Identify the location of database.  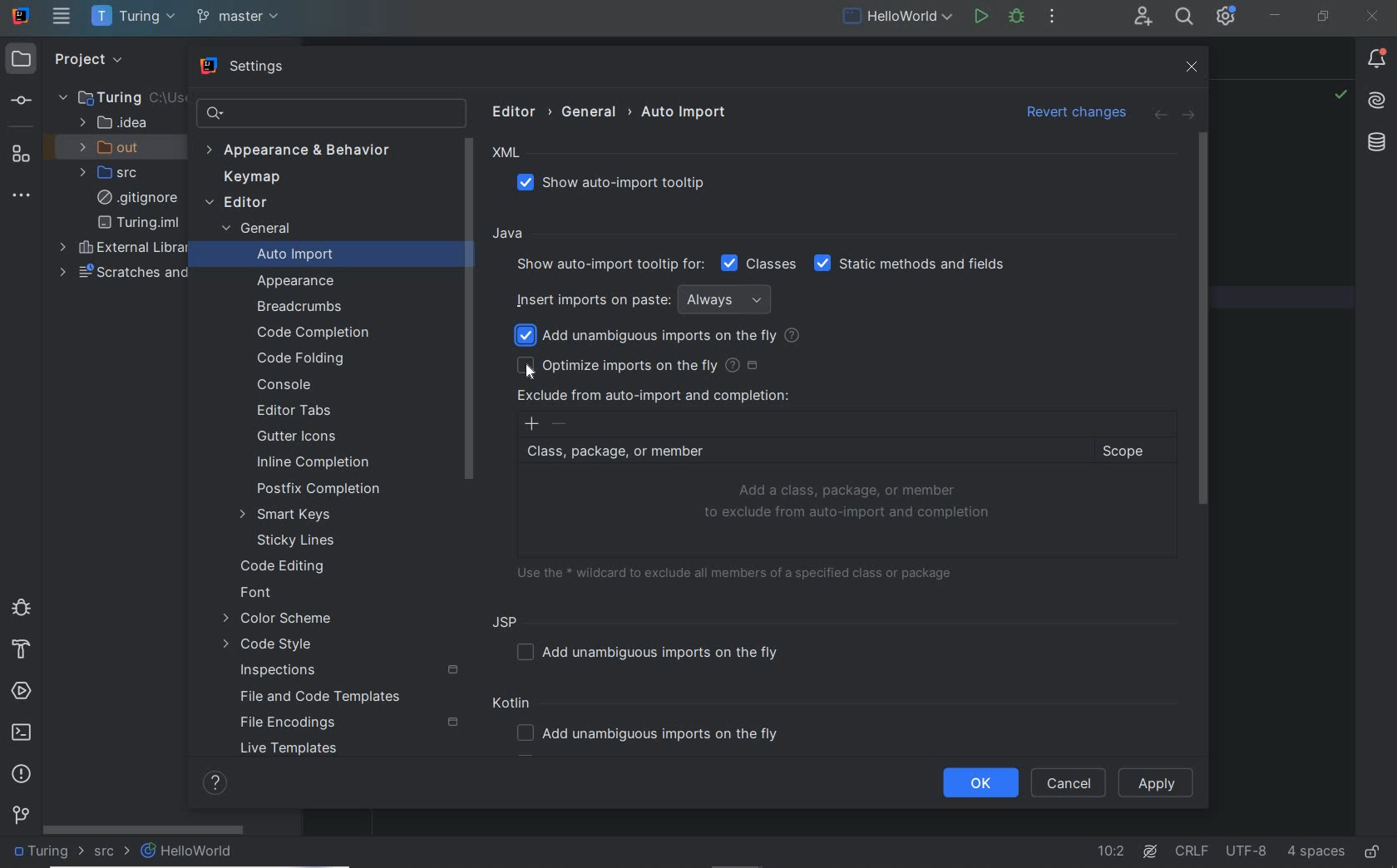
(1375, 144).